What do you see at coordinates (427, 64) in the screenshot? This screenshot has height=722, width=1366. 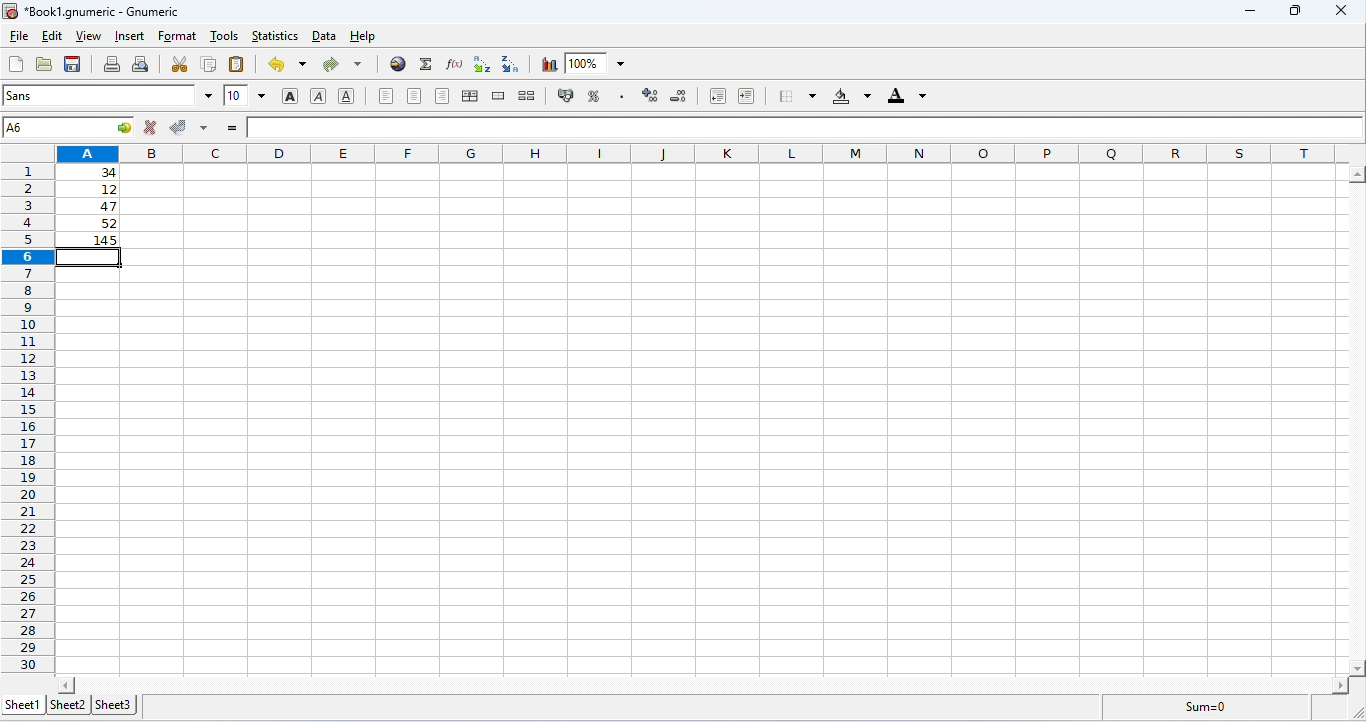 I see `sum` at bounding box center [427, 64].